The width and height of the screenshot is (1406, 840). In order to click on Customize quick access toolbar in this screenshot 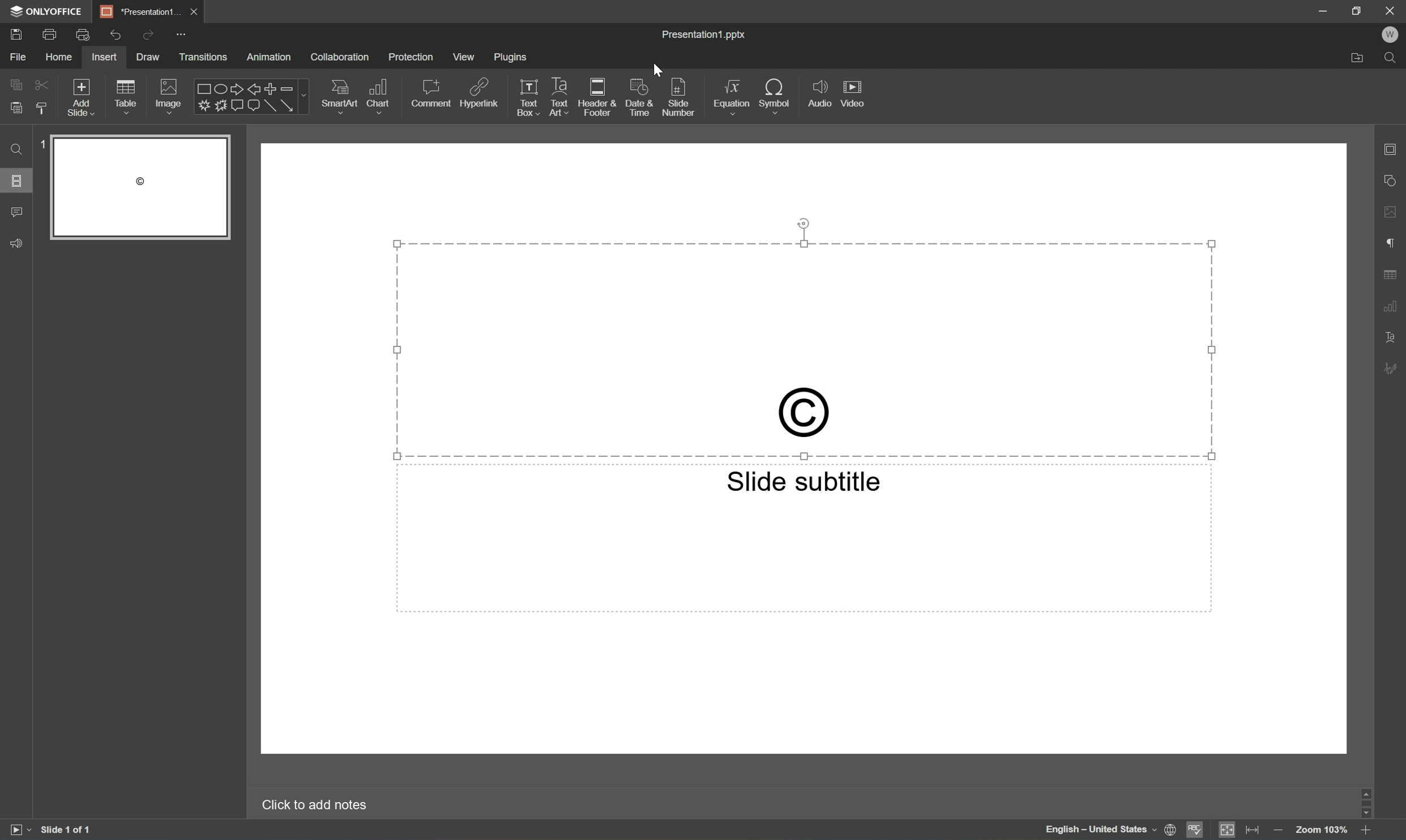, I will do `click(181, 36)`.